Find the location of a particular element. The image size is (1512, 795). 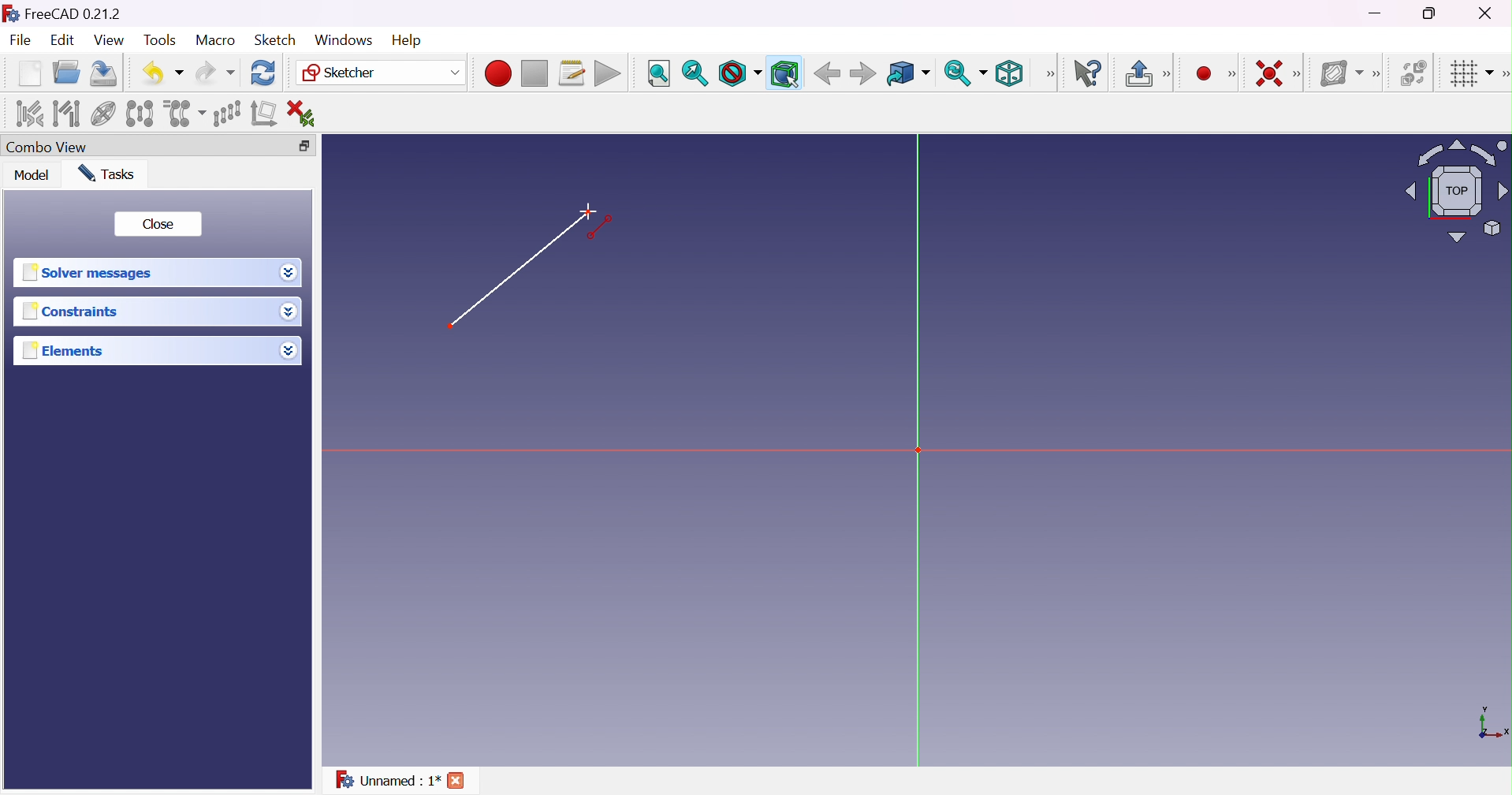

Draw style is located at coordinates (740, 73).